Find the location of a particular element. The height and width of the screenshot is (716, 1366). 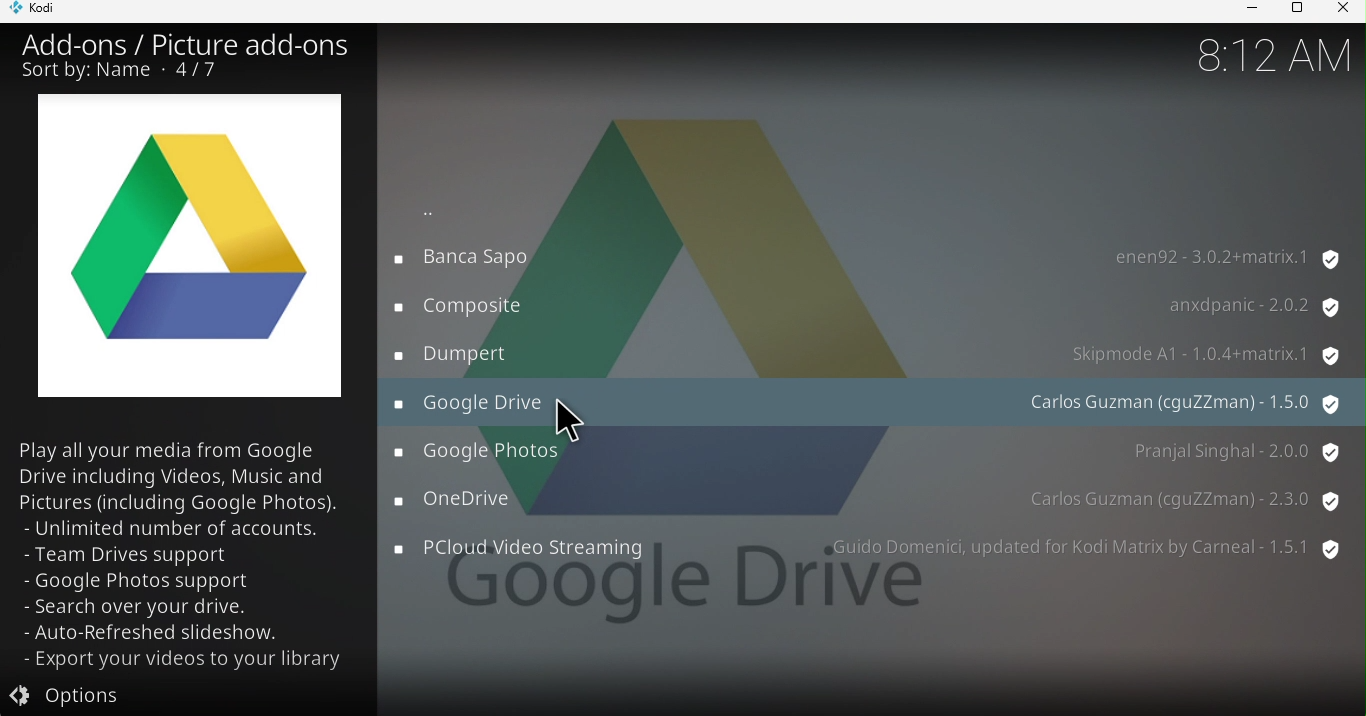

Play all you media from Google Drive including videos, Music and pictures (including google photos). -Unlimited number of accounts - Team Drives support - Google photos support Search over your drive - Auto-refreshed slideshow - Export your videos to your library is located at coordinates (184, 555).